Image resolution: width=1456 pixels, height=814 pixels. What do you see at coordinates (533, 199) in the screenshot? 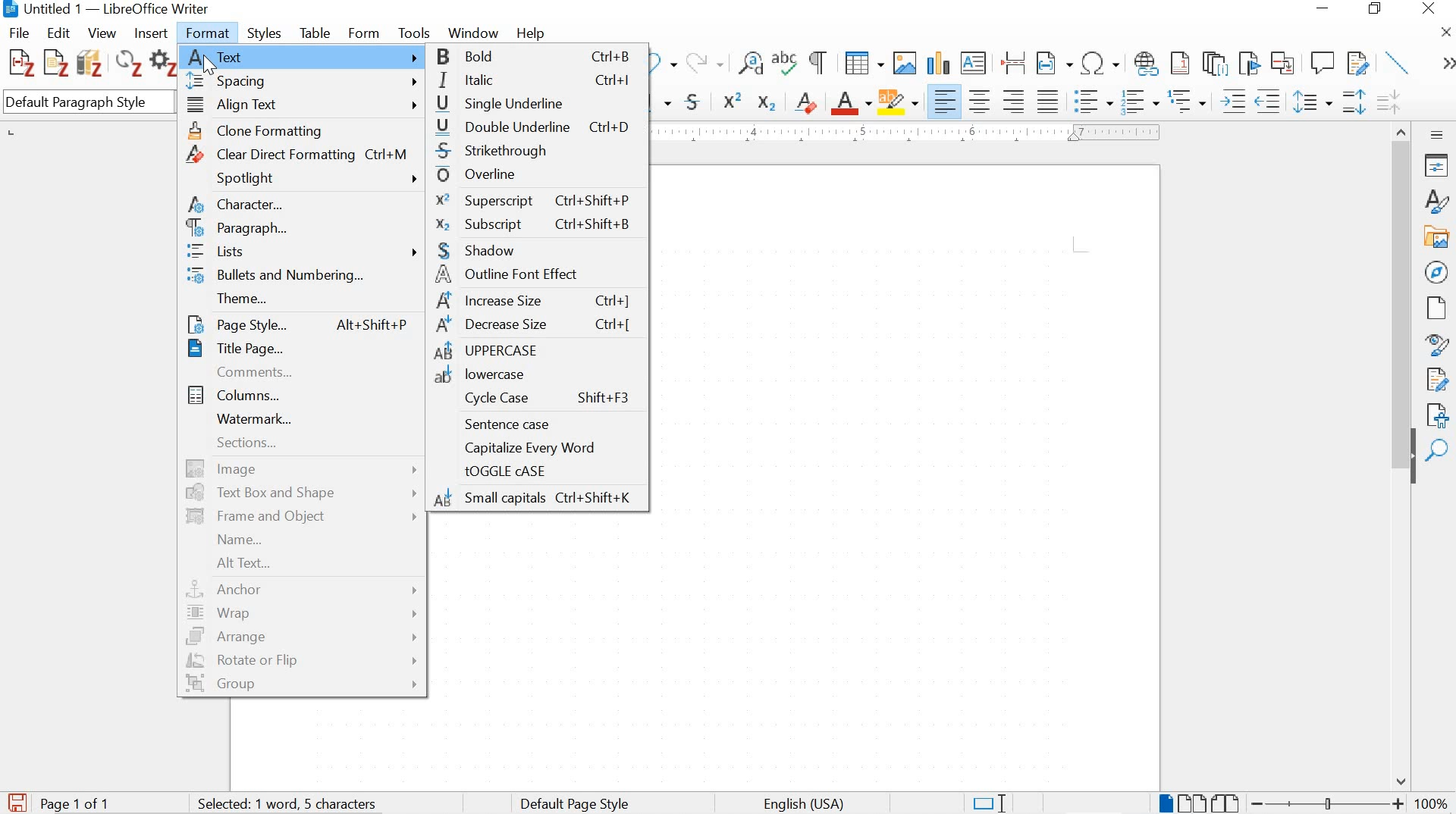
I see `superscript           Ctrl+Shift+P` at bounding box center [533, 199].